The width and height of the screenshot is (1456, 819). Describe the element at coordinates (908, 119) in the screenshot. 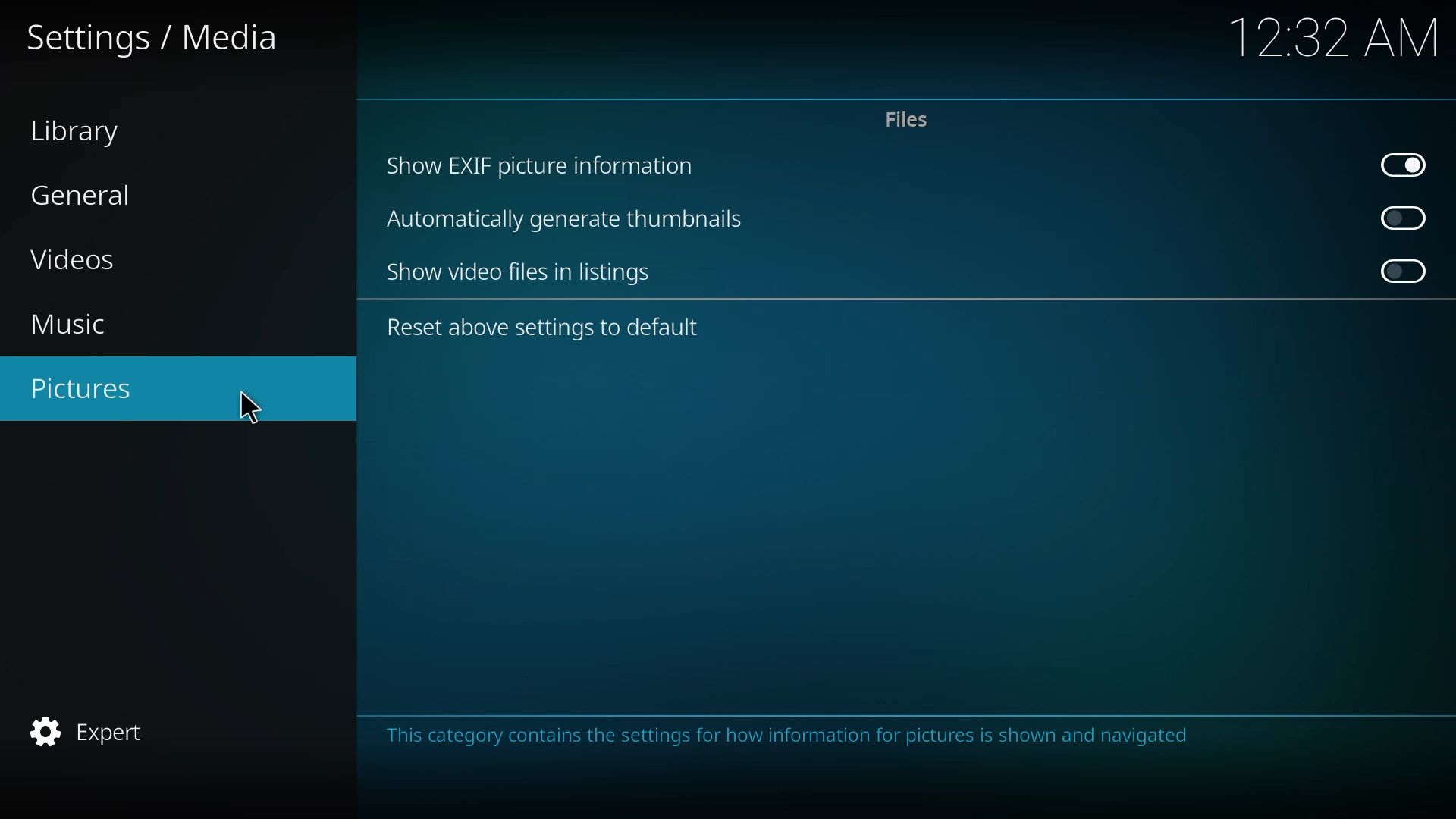

I see `files` at that location.